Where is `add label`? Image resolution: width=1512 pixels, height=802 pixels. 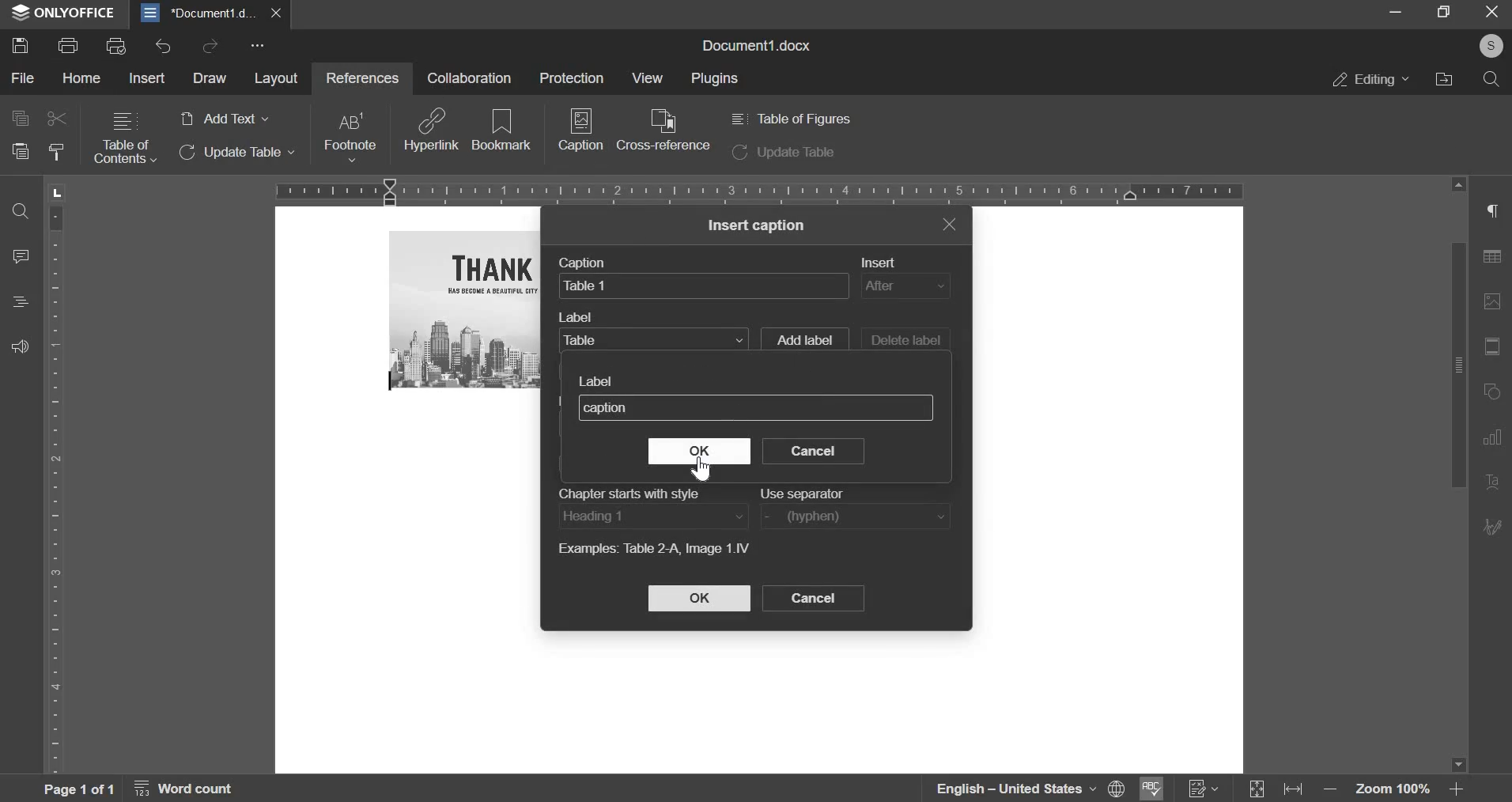 add label is located at coordinates (803, 337).